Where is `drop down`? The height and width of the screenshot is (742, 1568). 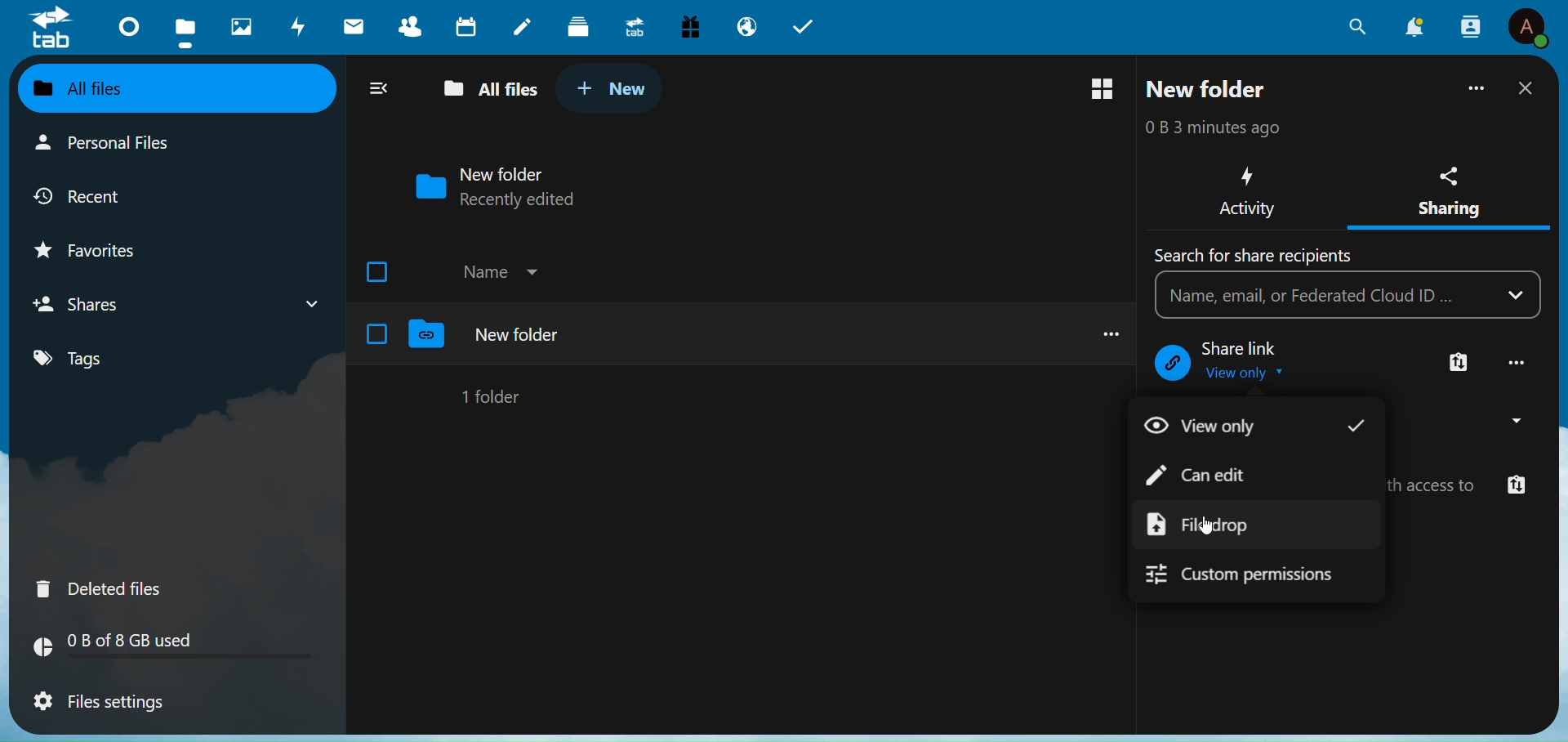 drop down is located at coordinates (1504, 422).